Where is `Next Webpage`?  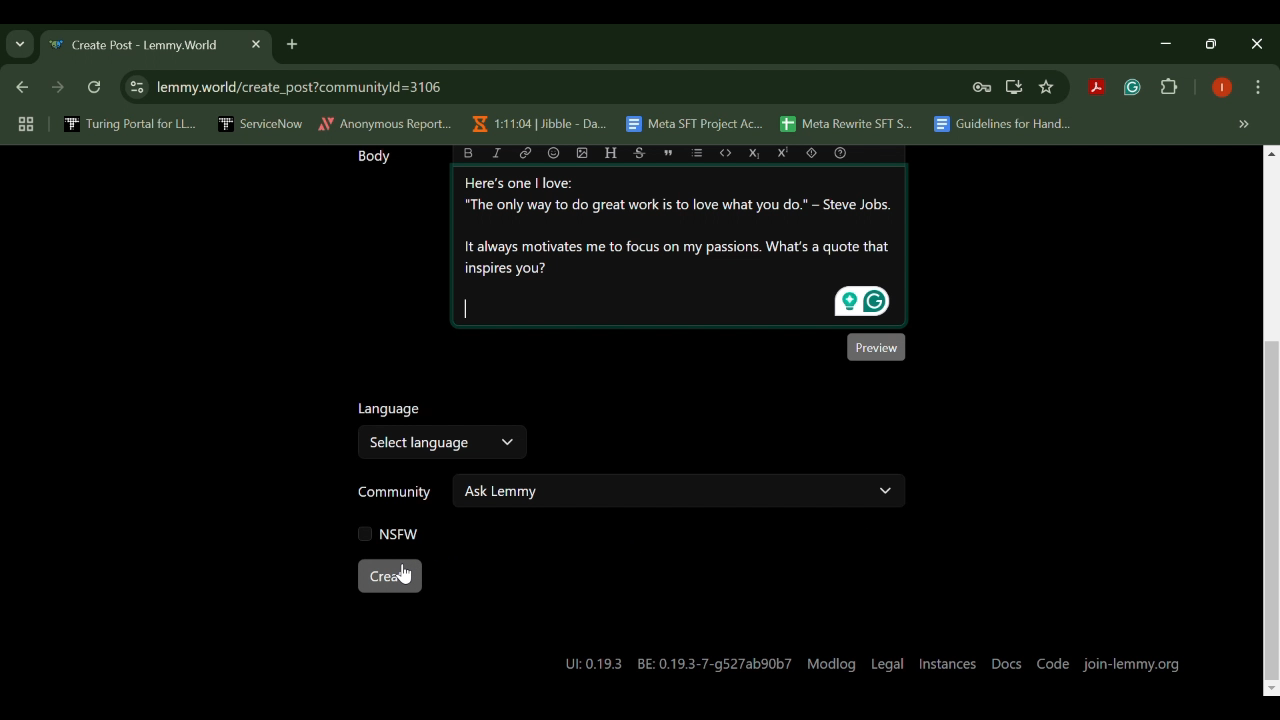 Next Webpage is located at coordinates (58, 90).